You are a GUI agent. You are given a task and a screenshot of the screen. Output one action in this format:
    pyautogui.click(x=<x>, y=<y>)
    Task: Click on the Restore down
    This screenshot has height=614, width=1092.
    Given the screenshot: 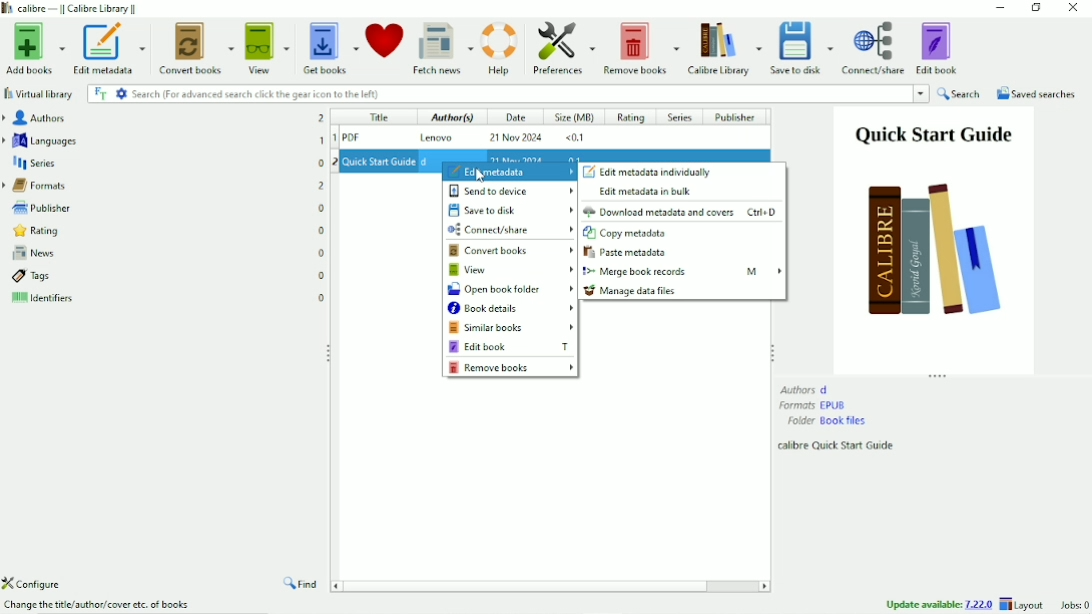 What is the action you would take?
    pyautogui.click(x=1035, y=9)
    